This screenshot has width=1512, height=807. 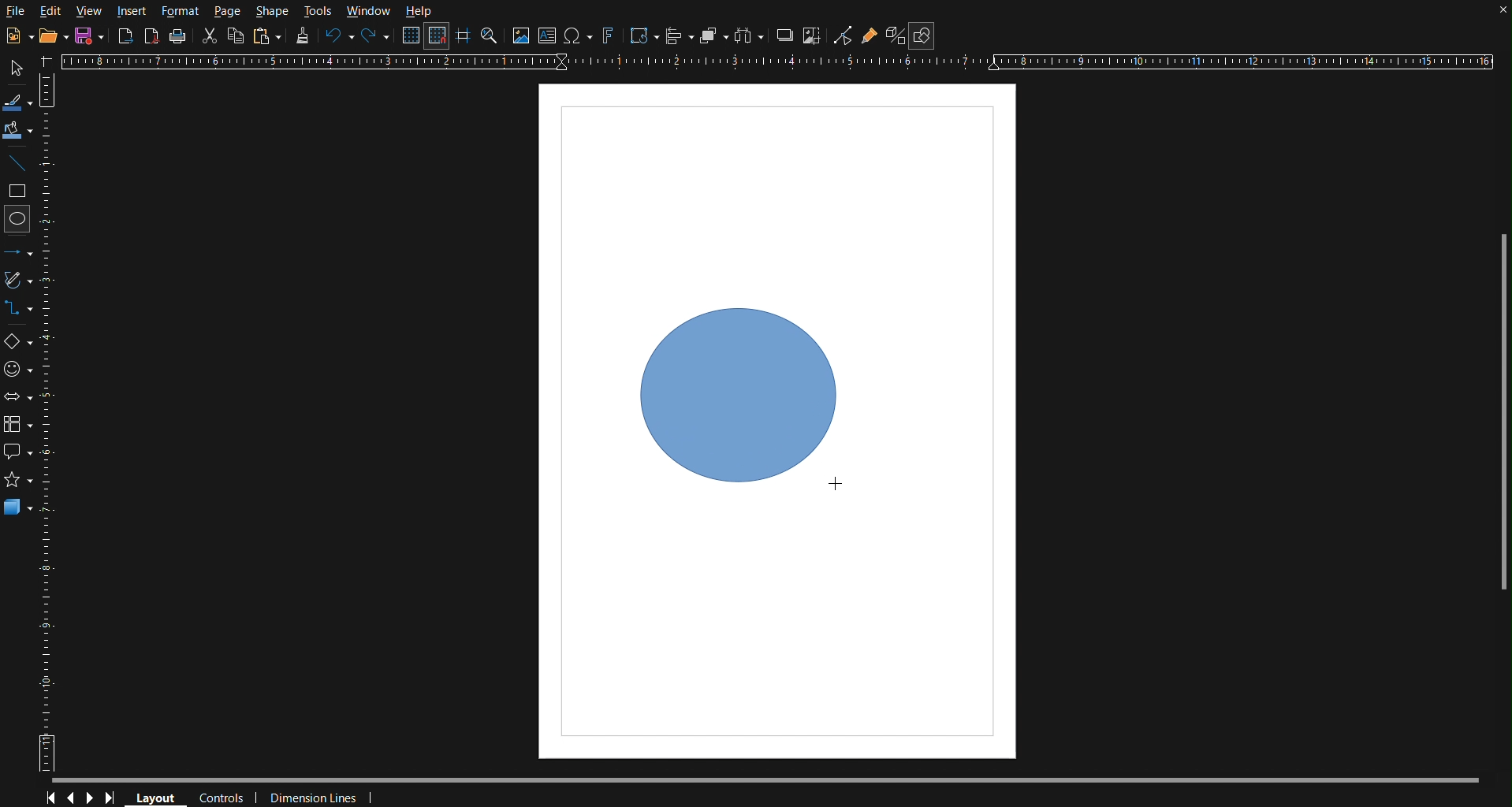 What do you see at coordinates (223, 795) in the screenshot?
I see `Controls` at bounding box center [223, 795].